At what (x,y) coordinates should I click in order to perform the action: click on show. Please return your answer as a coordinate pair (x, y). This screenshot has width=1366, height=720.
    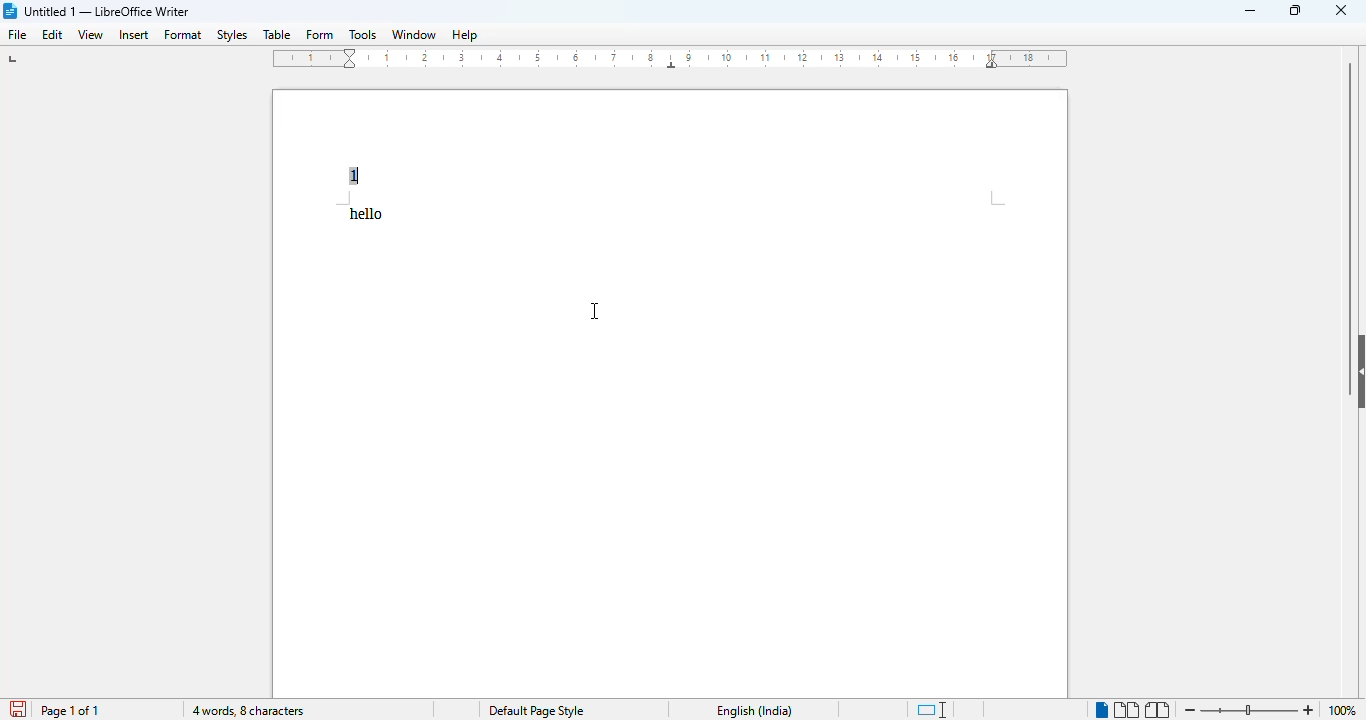
    Looking at the image, I should click on (1357, 371).